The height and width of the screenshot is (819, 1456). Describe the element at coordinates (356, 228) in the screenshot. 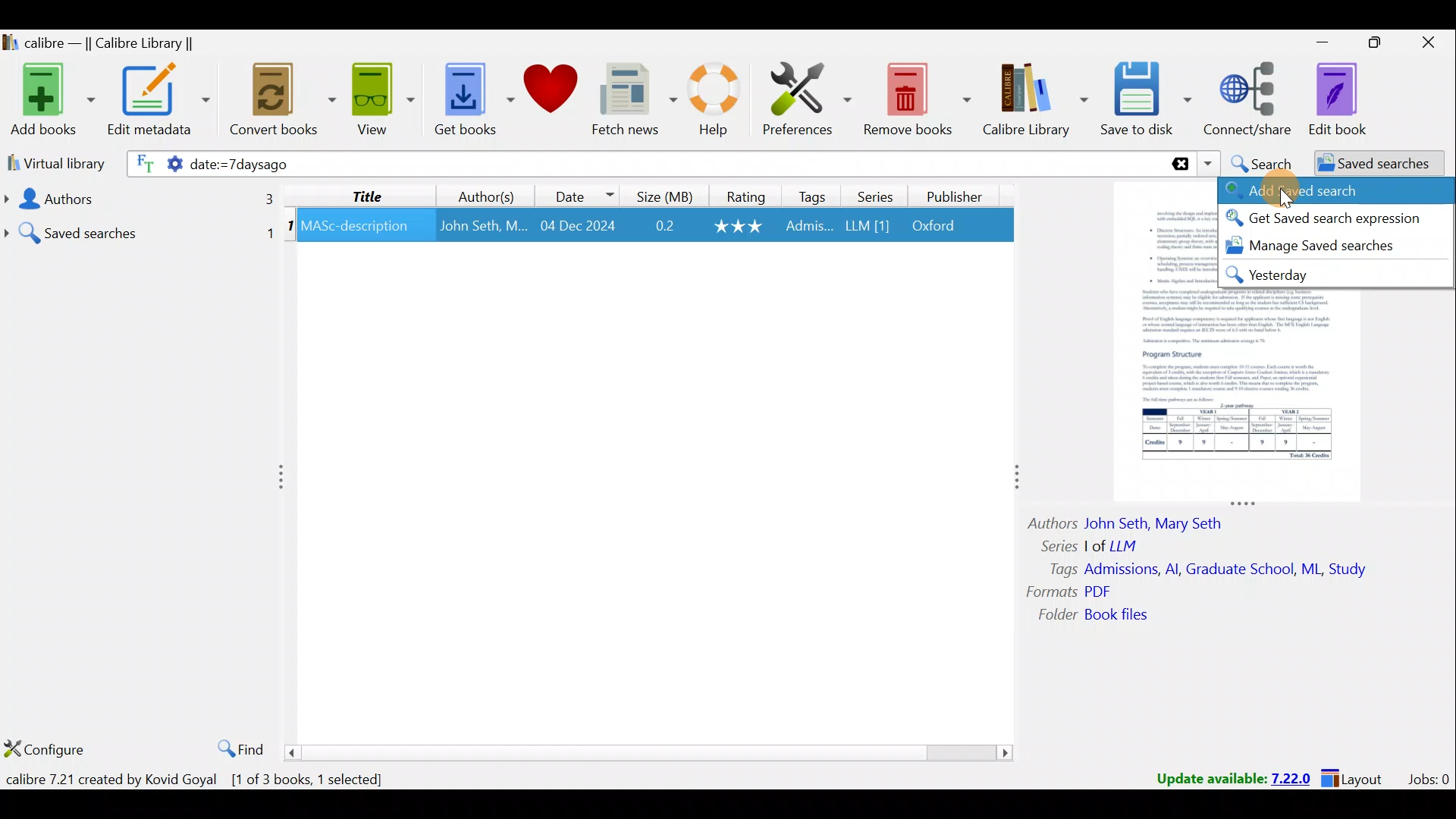

I see `MASc-description` at that location.